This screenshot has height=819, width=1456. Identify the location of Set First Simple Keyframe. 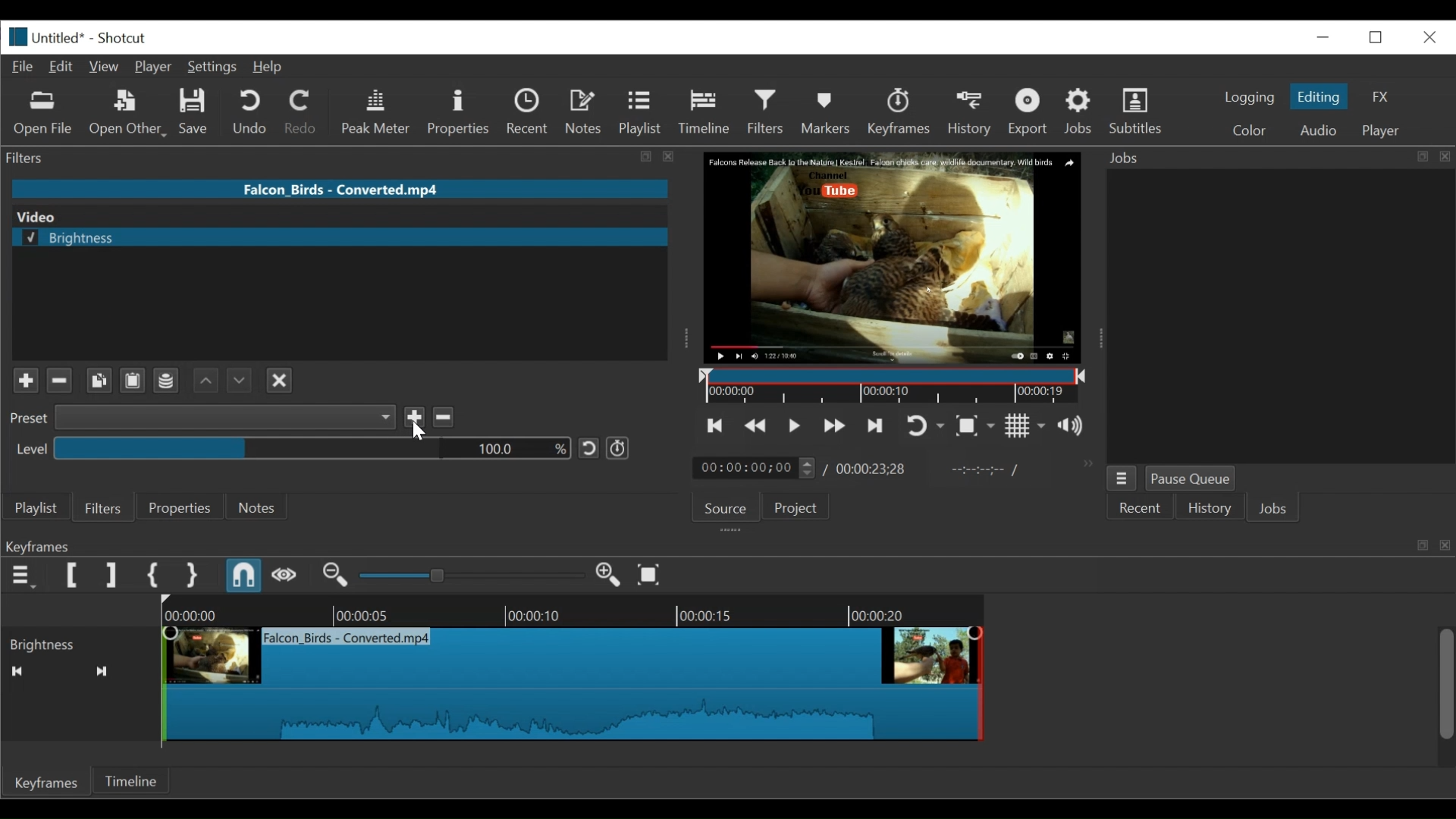
(152, 576).